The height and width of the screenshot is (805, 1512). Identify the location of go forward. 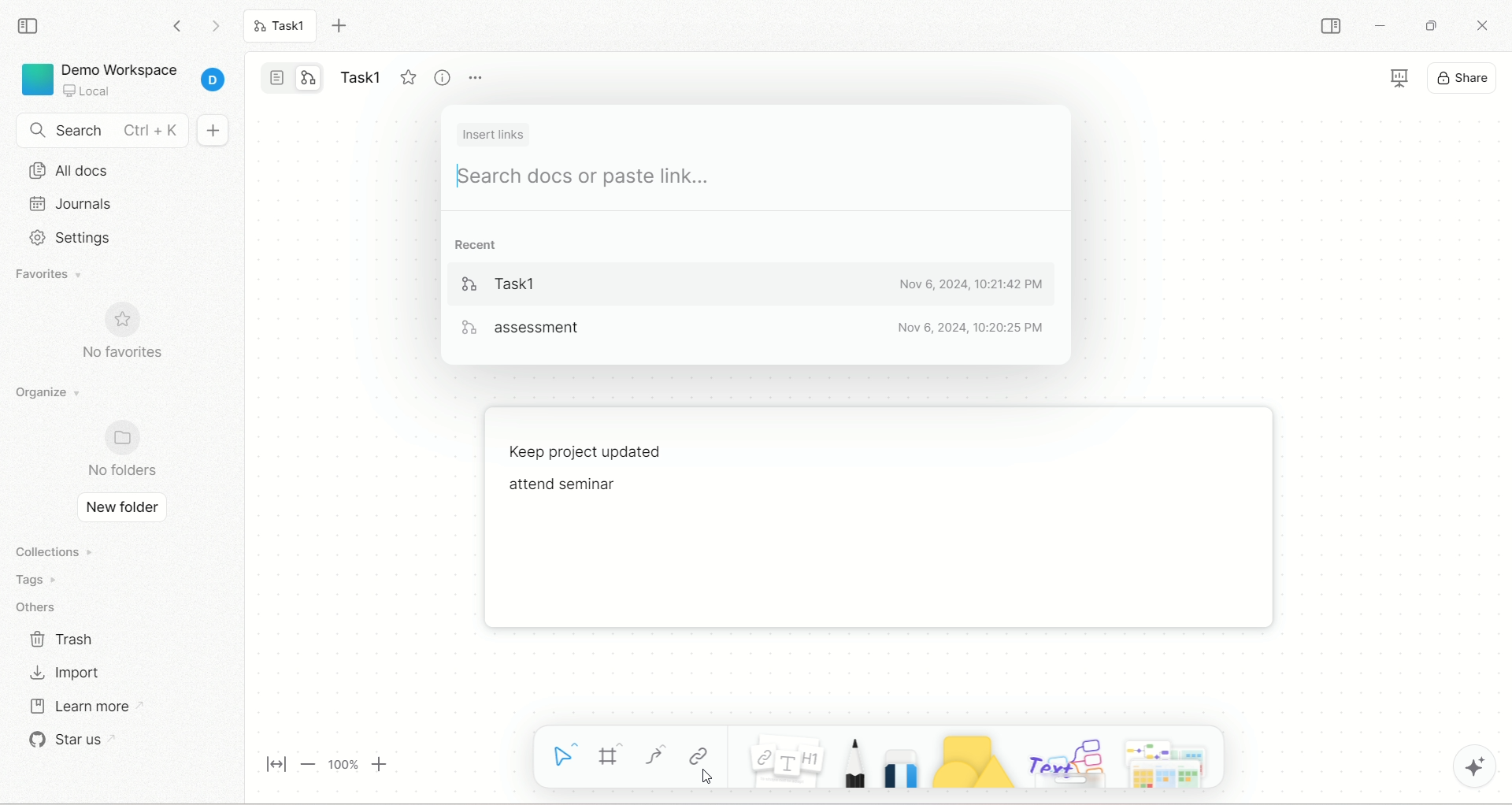
(214, 26).